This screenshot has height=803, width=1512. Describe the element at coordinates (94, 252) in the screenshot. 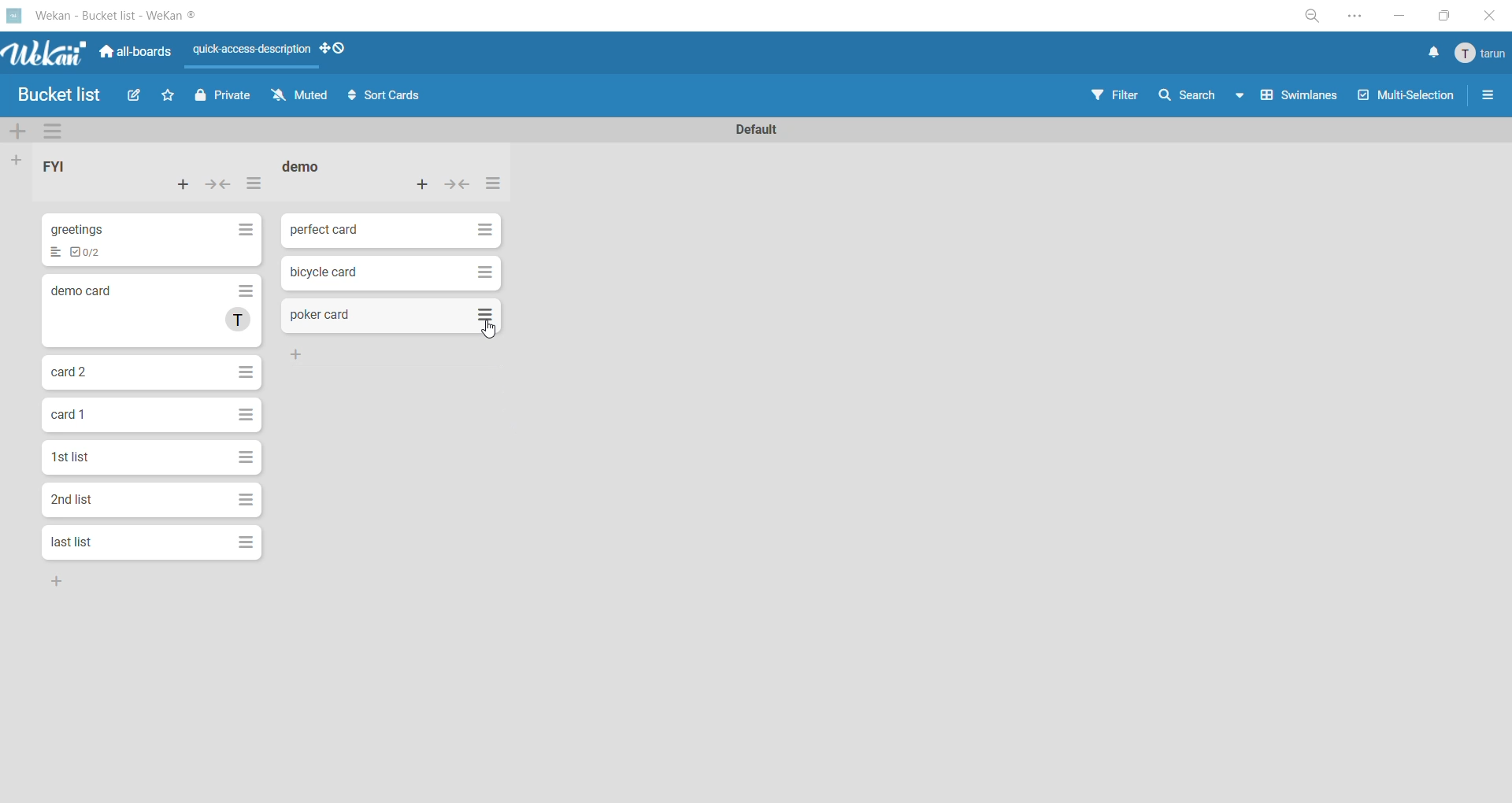

I see `To-do` at that location.